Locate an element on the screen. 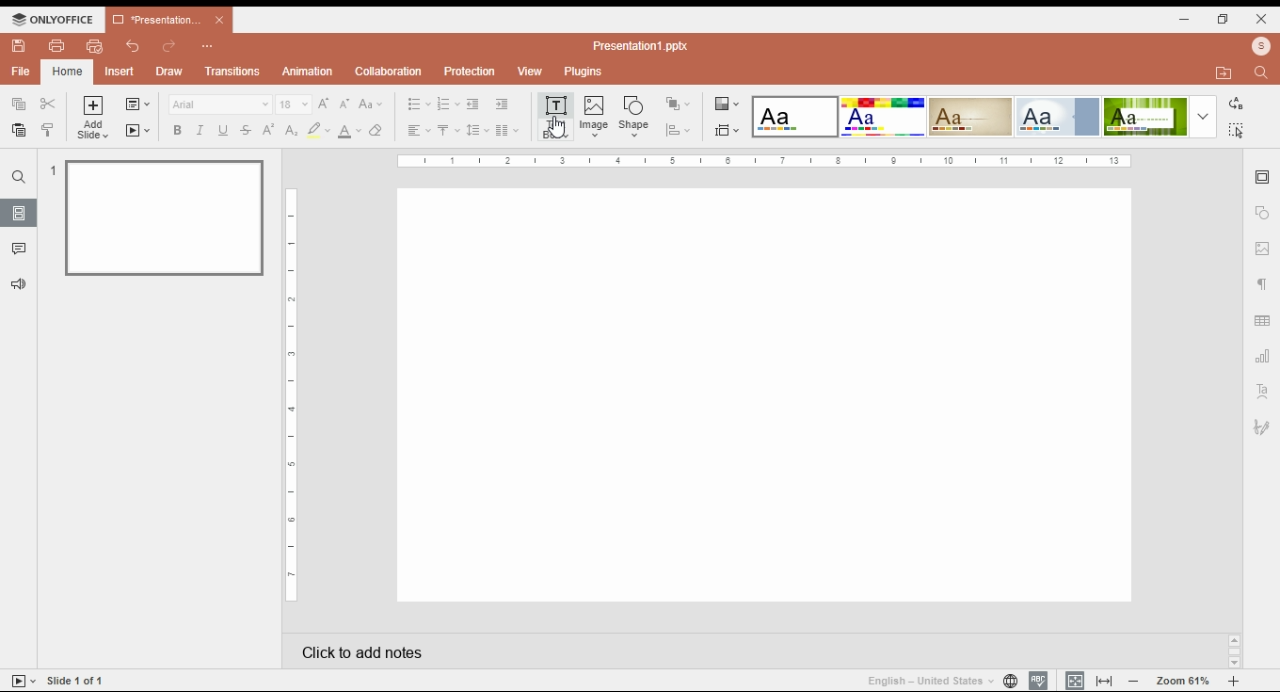 This screenshot has height=692, width=1280. editor is located at coordinates (766, 396).